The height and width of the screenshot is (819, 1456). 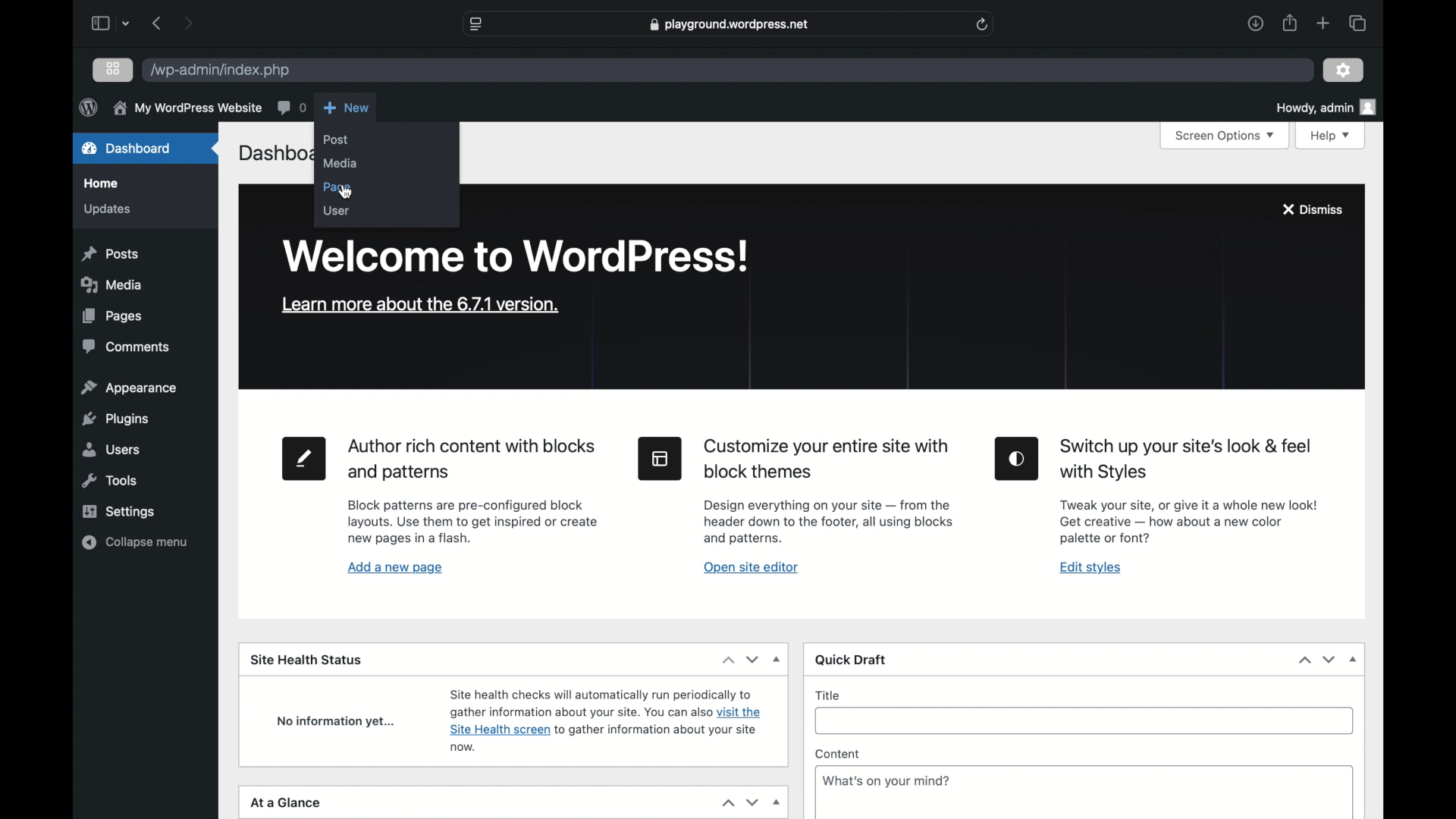 I want to click on media, so click(x=341, y=164).